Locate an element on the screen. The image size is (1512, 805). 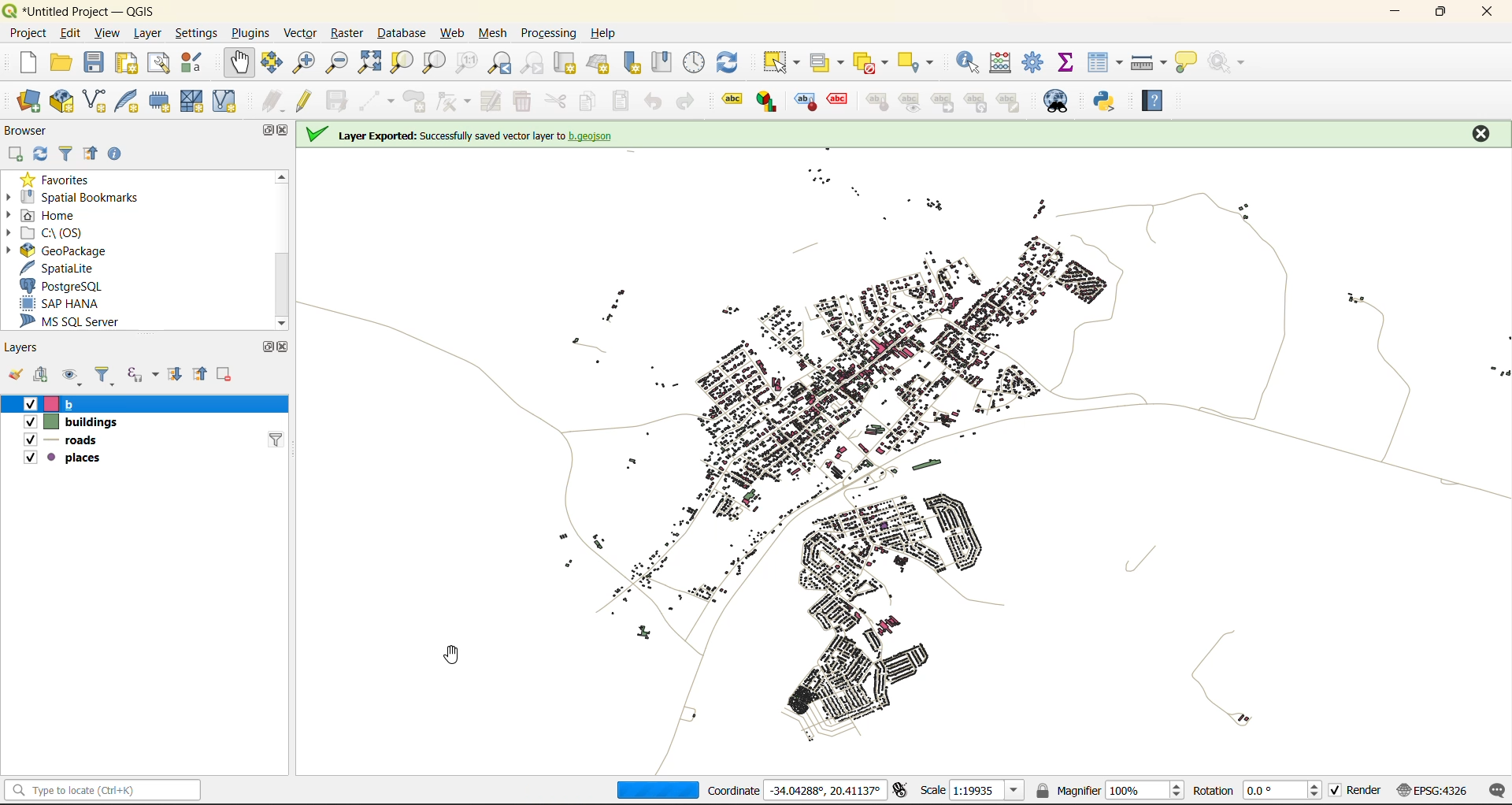
plugins is located at coordinates (255, 32).